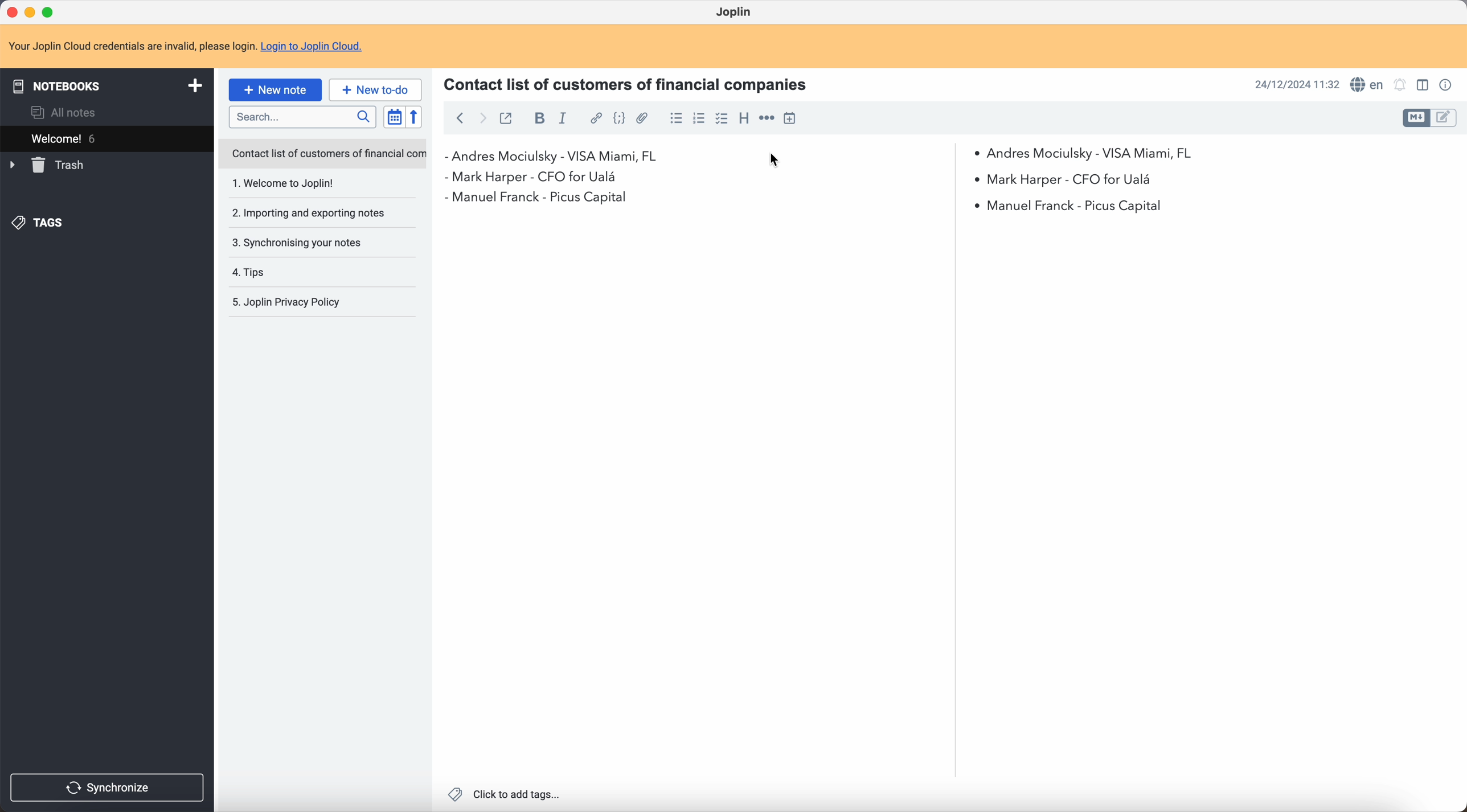  What do you see at coordinates (64, 111) in the screenshot?
I see `all notes` at bounding box center [64, 111].